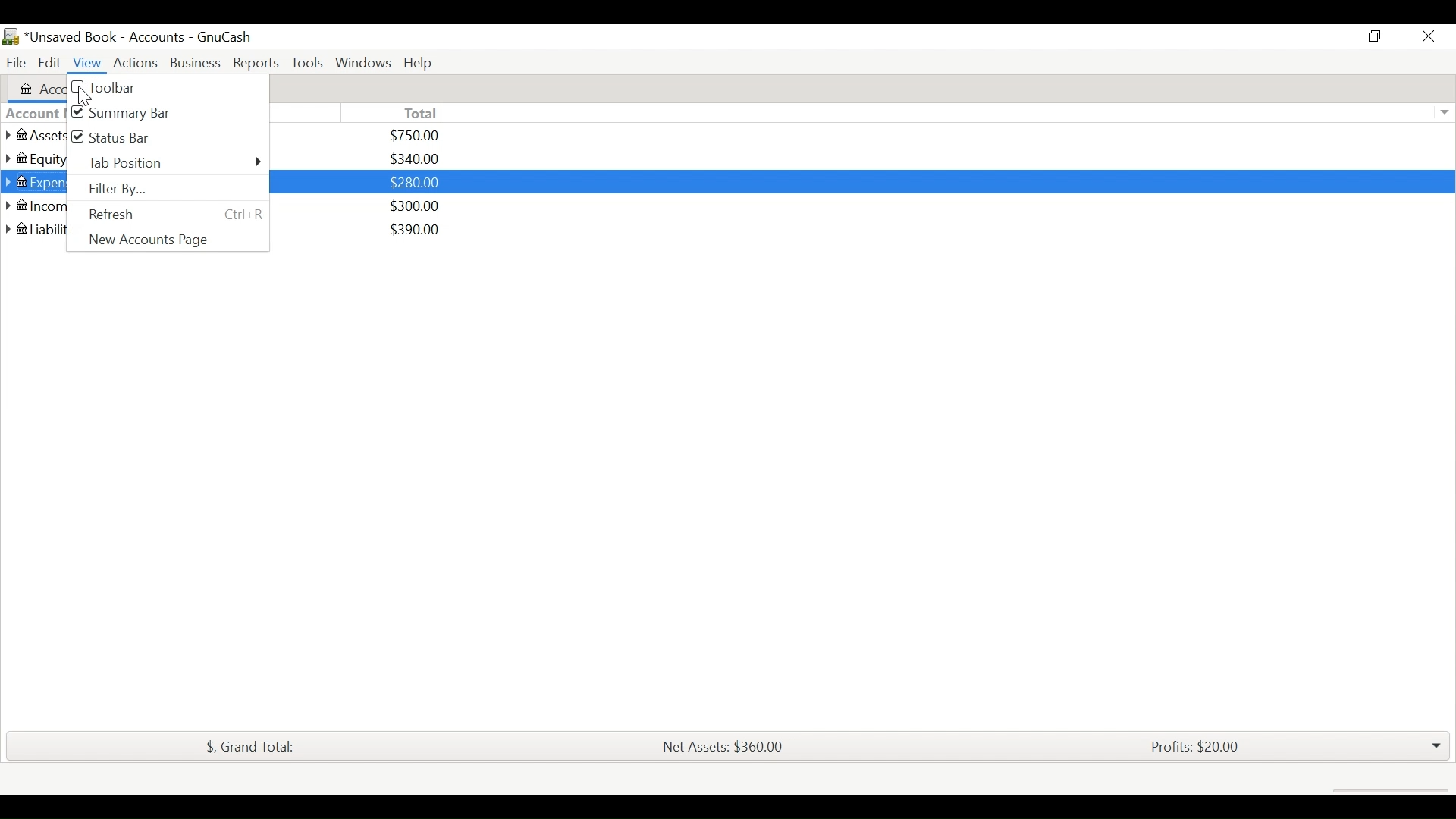 The height and width of the screenshot is (819, 1456). Describe the element at coordinates (11, 37) in the screenshot. I see `GnuCash Desktop icon` at that location.